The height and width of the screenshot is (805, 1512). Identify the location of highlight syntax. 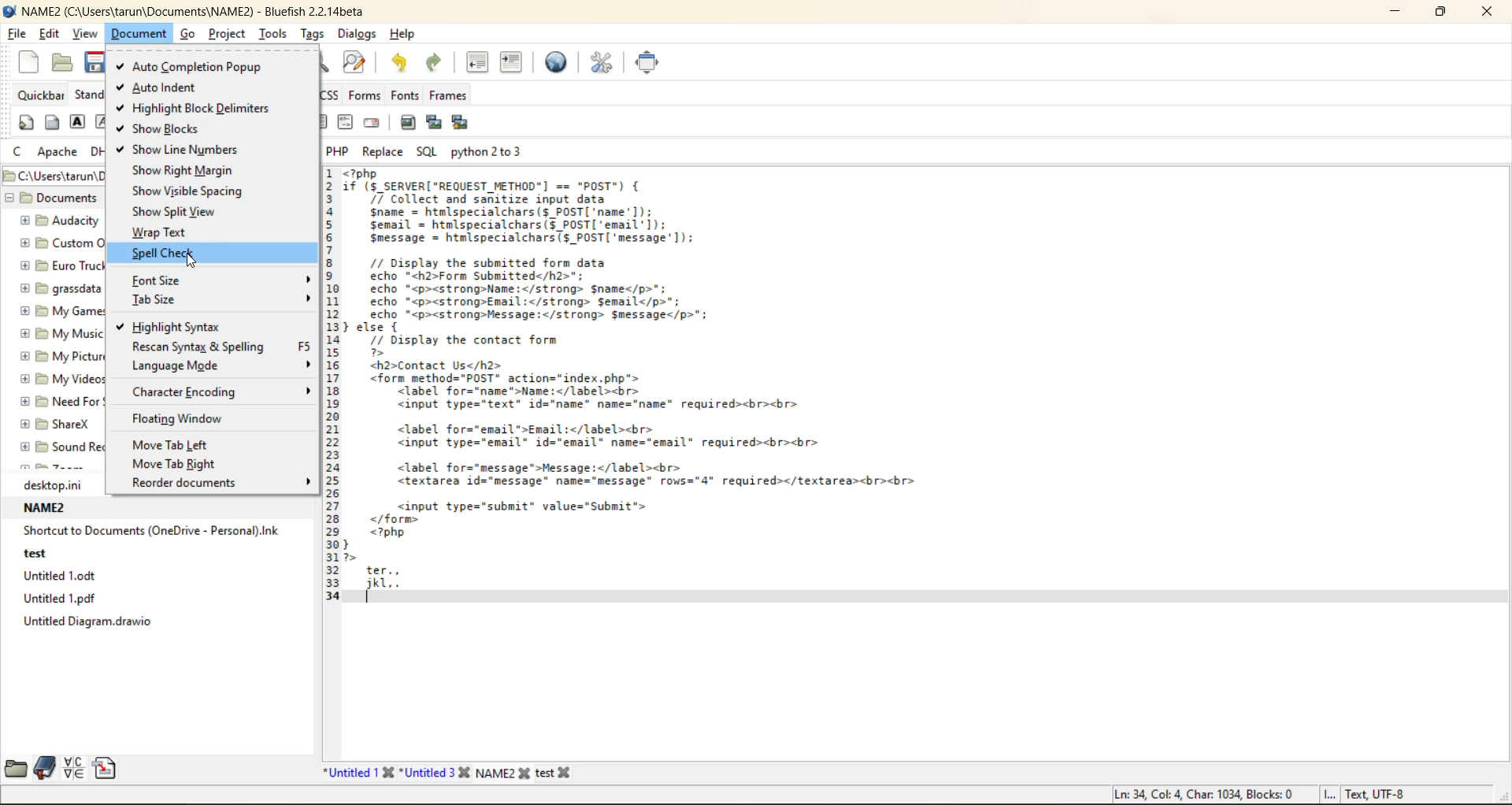
(174, 327).